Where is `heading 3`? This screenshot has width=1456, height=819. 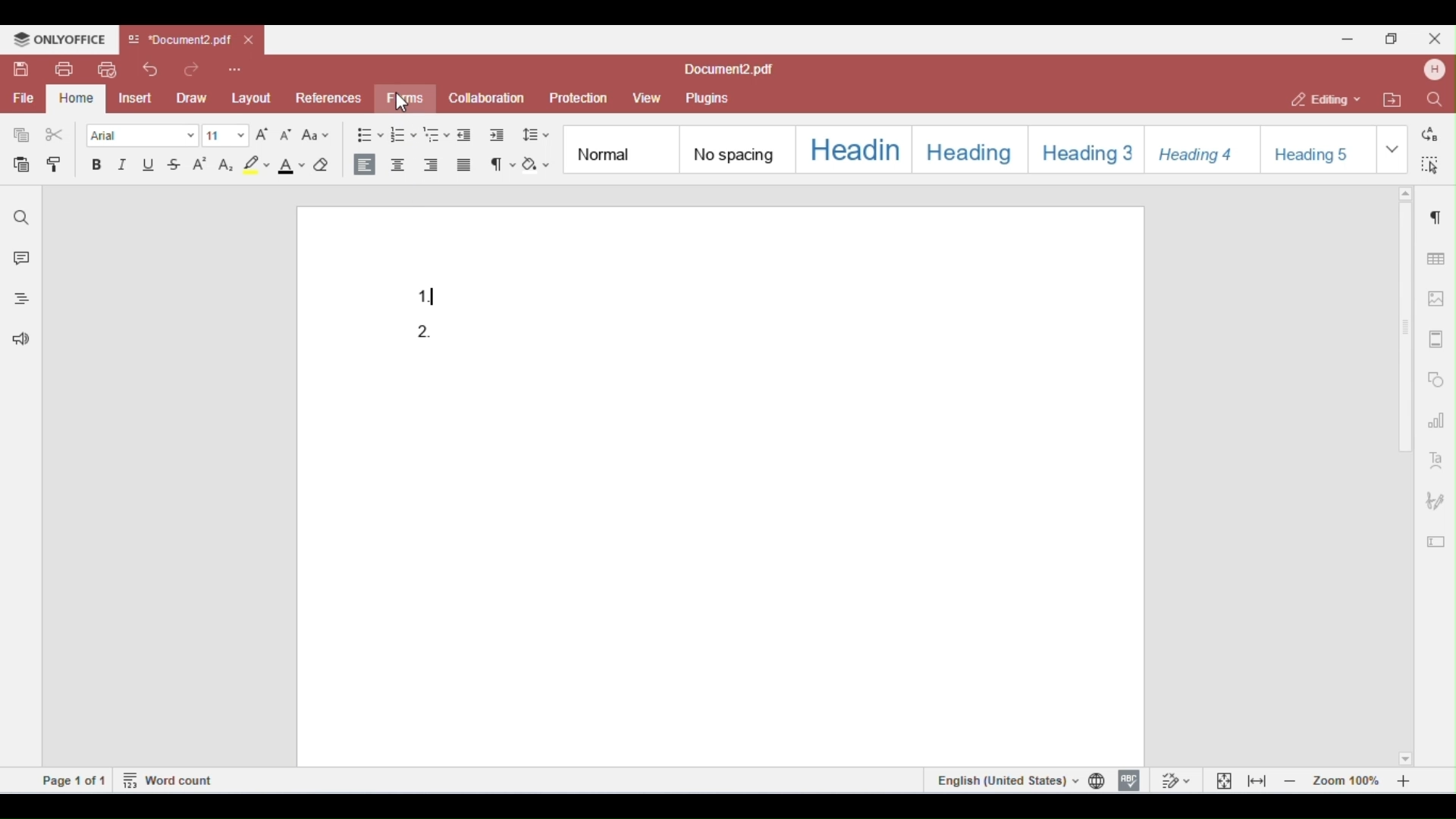
heading 3 is located at coordinates (1083, 147).